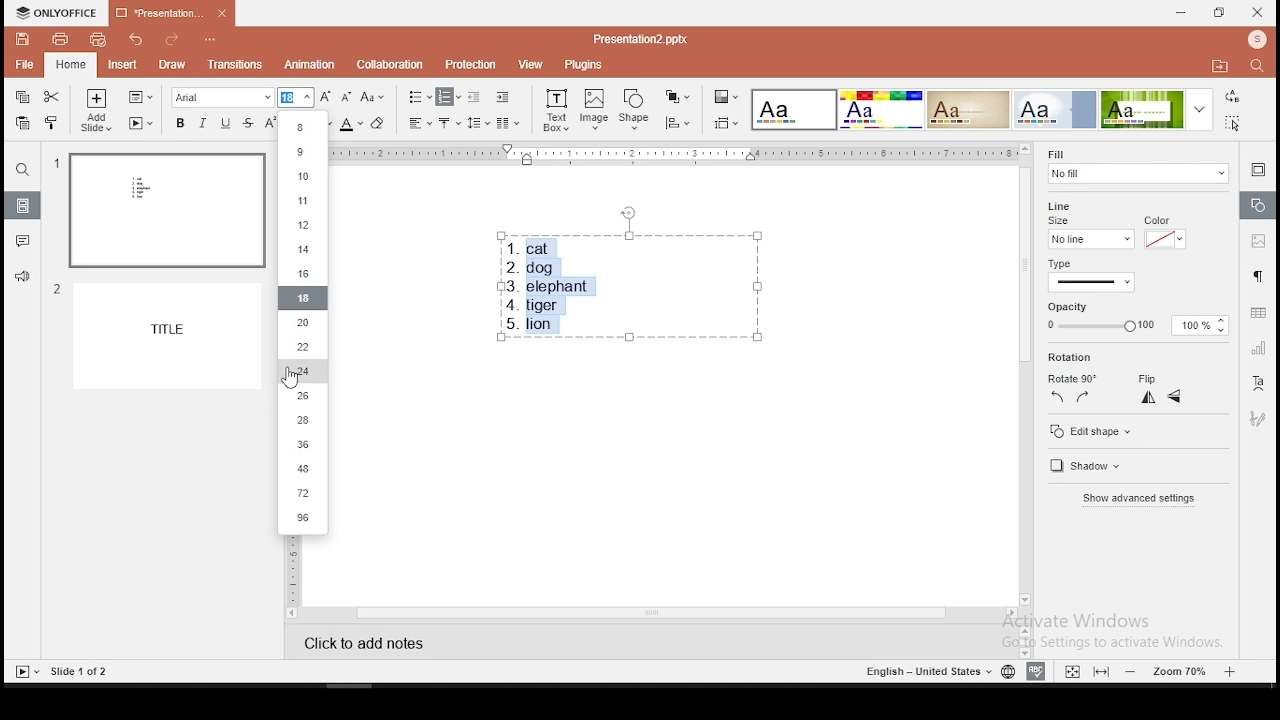 The width and height of the screenshot is (1280, 720). Describe the element at coordinates (23, 40) in the screenshot. I see `save` at that location.